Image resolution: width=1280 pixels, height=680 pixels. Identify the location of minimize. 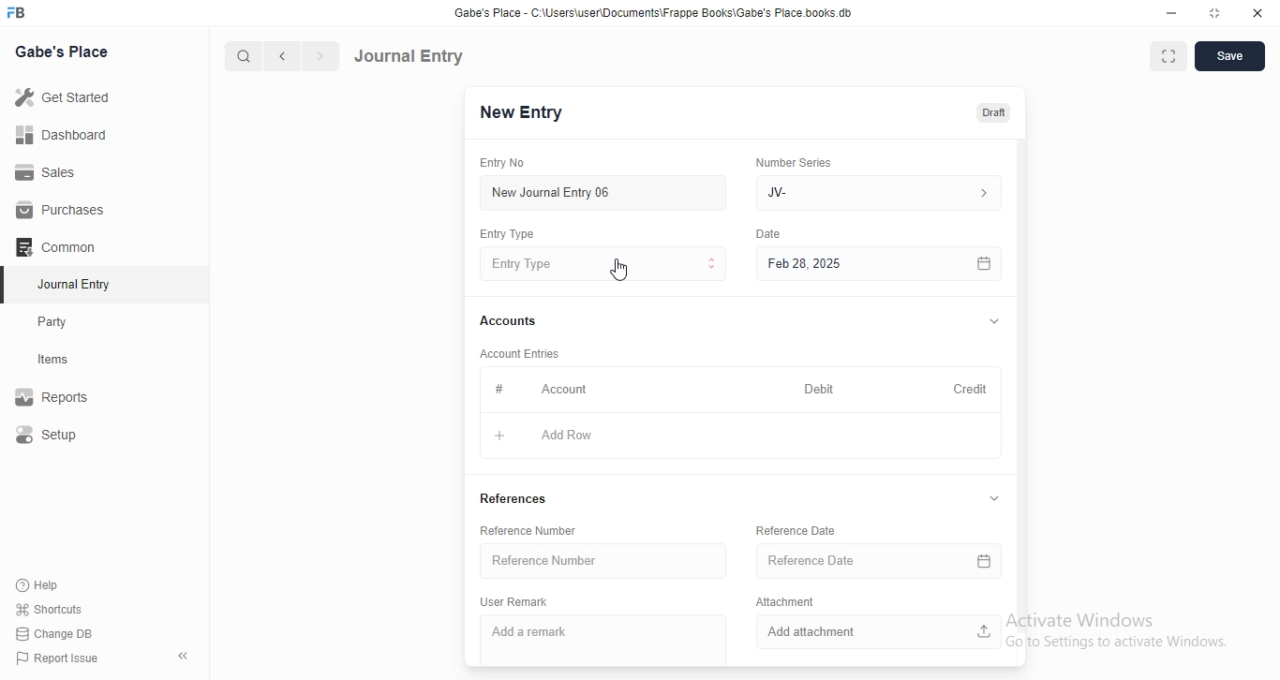
(1170, 16).